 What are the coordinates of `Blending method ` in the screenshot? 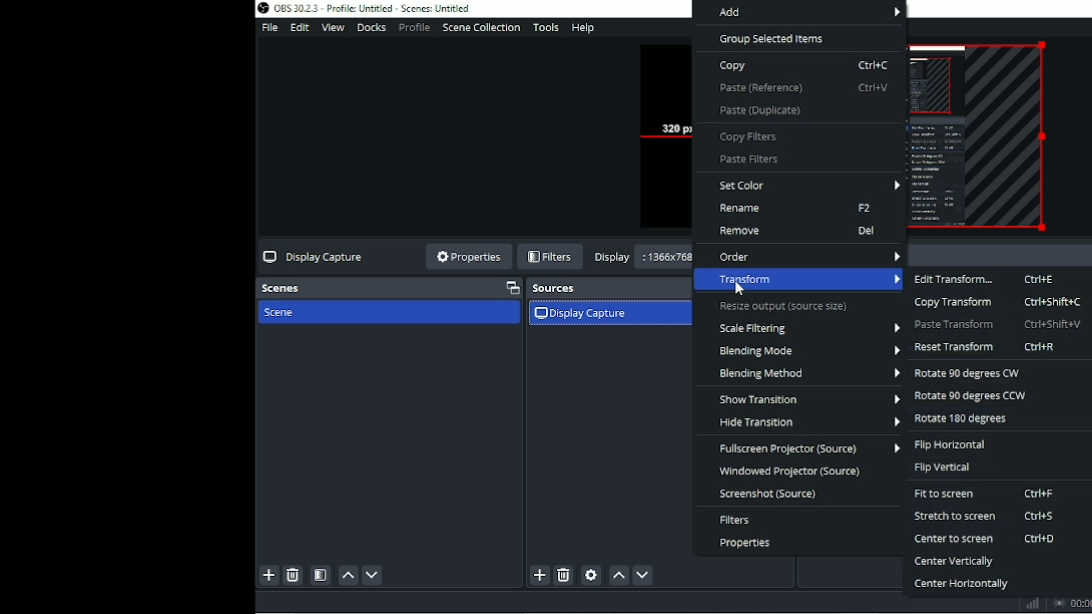 It's located at (806, 374).